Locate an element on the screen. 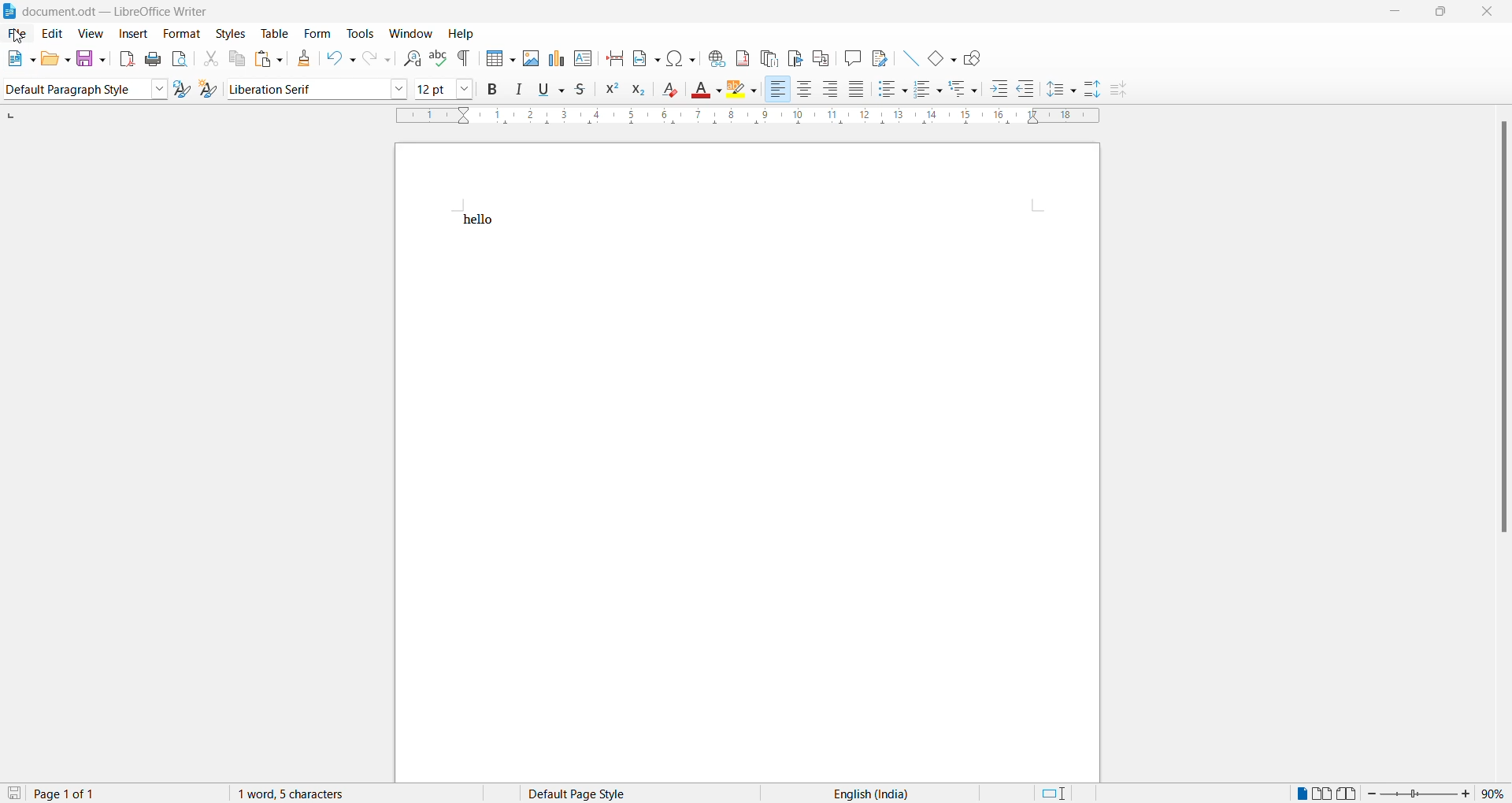 The image size is (1512, 803). Style options is located at coordinates (158, 89).